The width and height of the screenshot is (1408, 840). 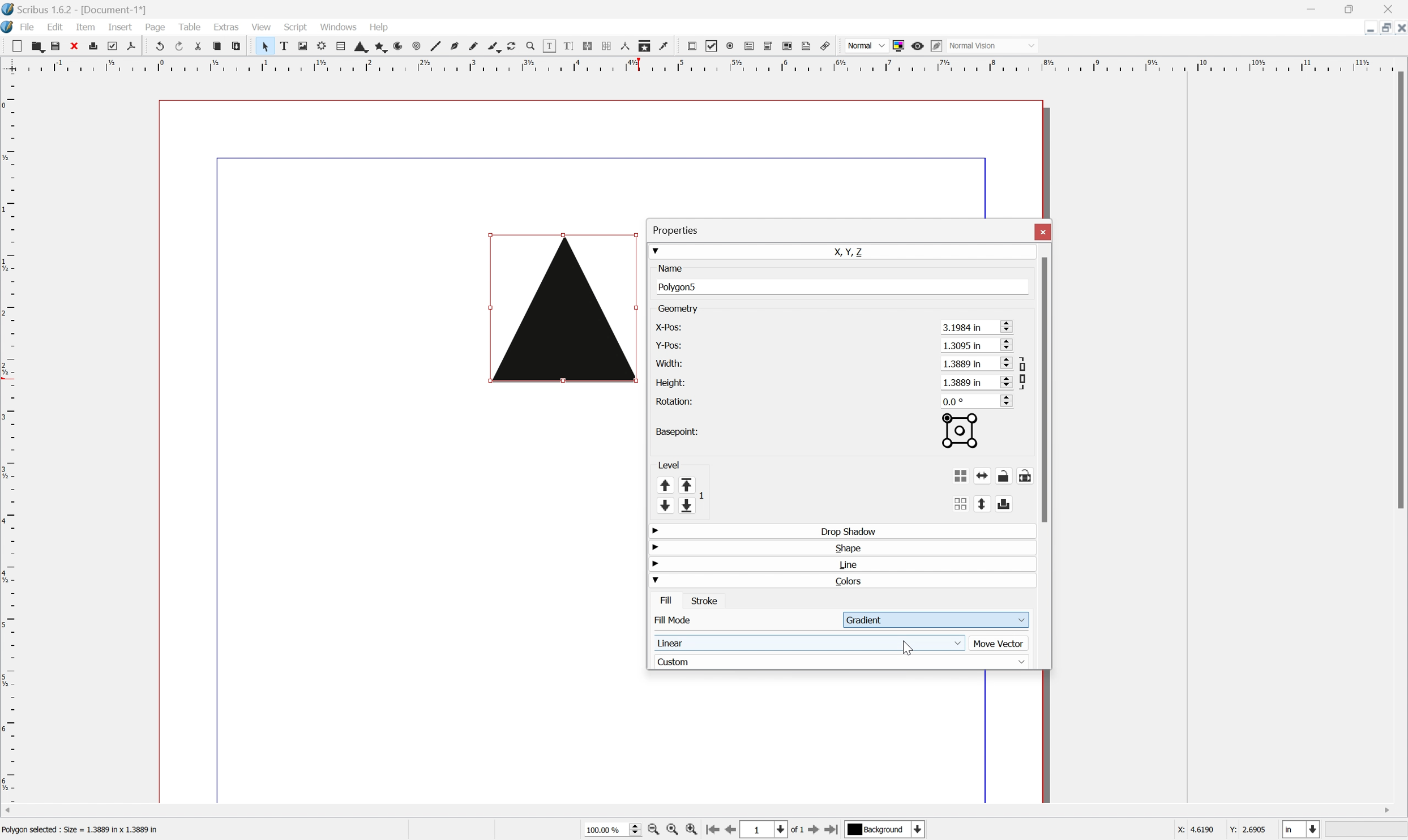 I want to click on Save as PDF, so click(x=131, y=48).